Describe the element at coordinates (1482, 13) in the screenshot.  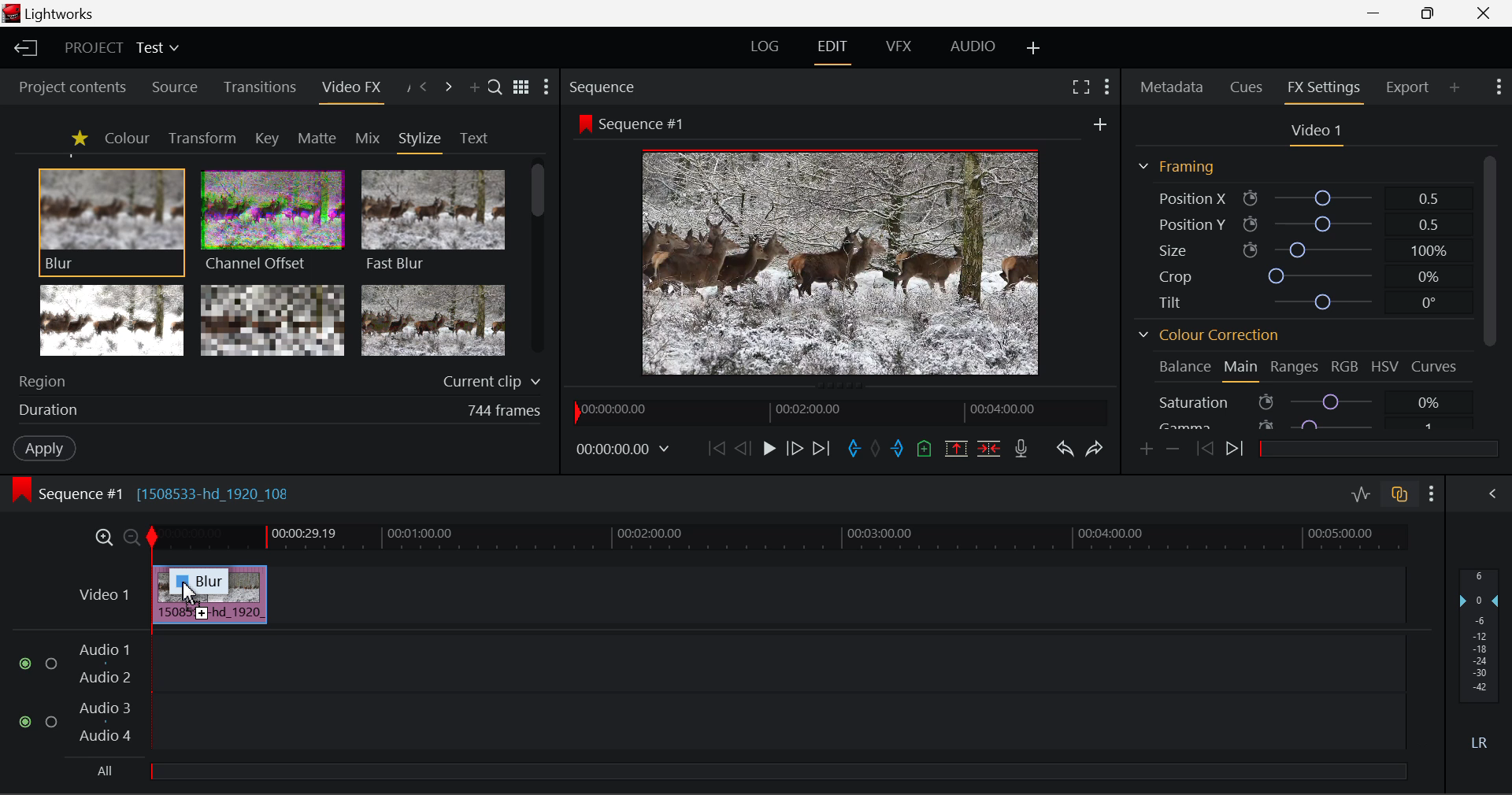
I see `Close` at that location.